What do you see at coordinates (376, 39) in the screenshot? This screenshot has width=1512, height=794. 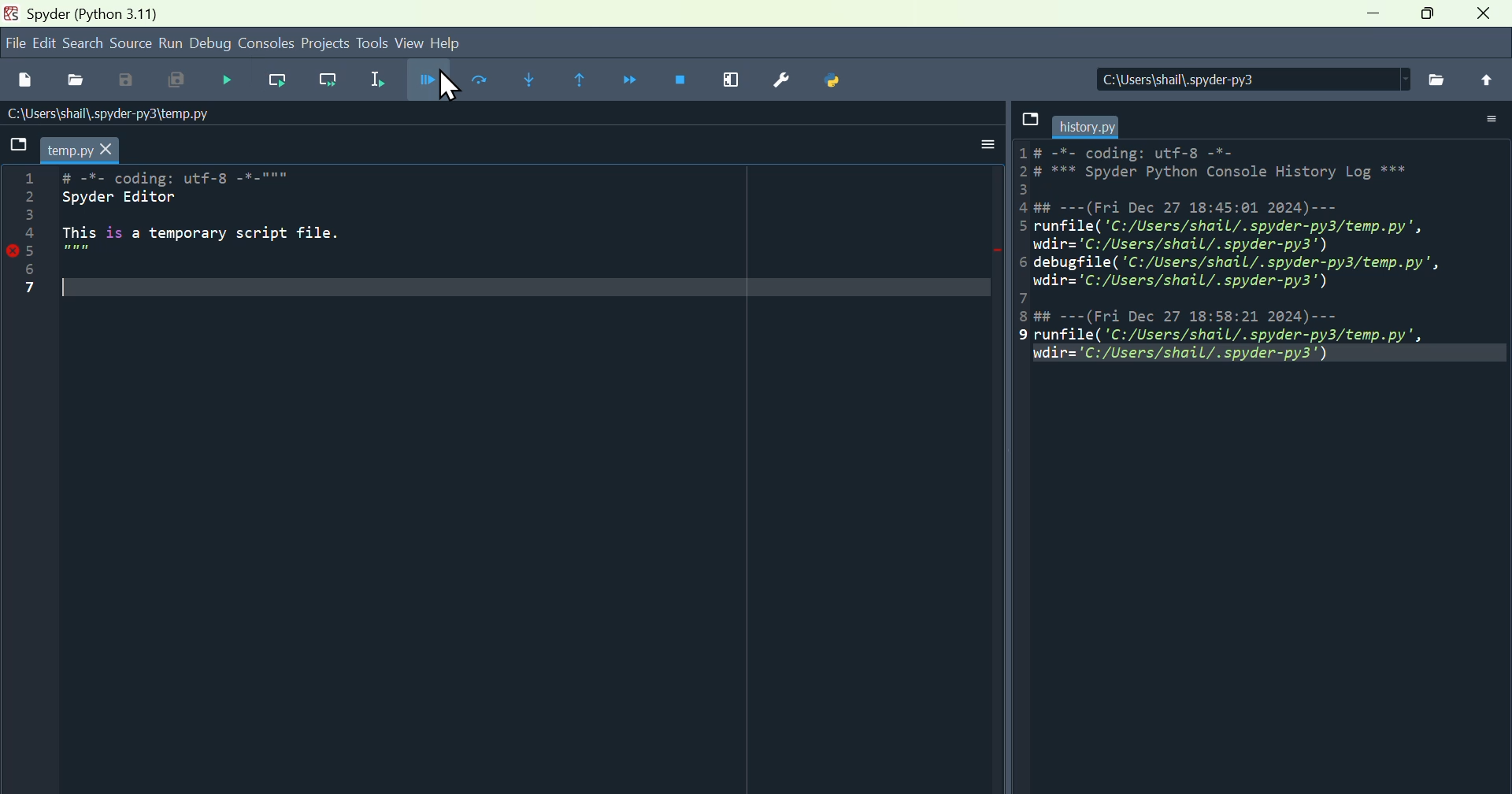 I see `Tools` at bounding box center [376, 39].